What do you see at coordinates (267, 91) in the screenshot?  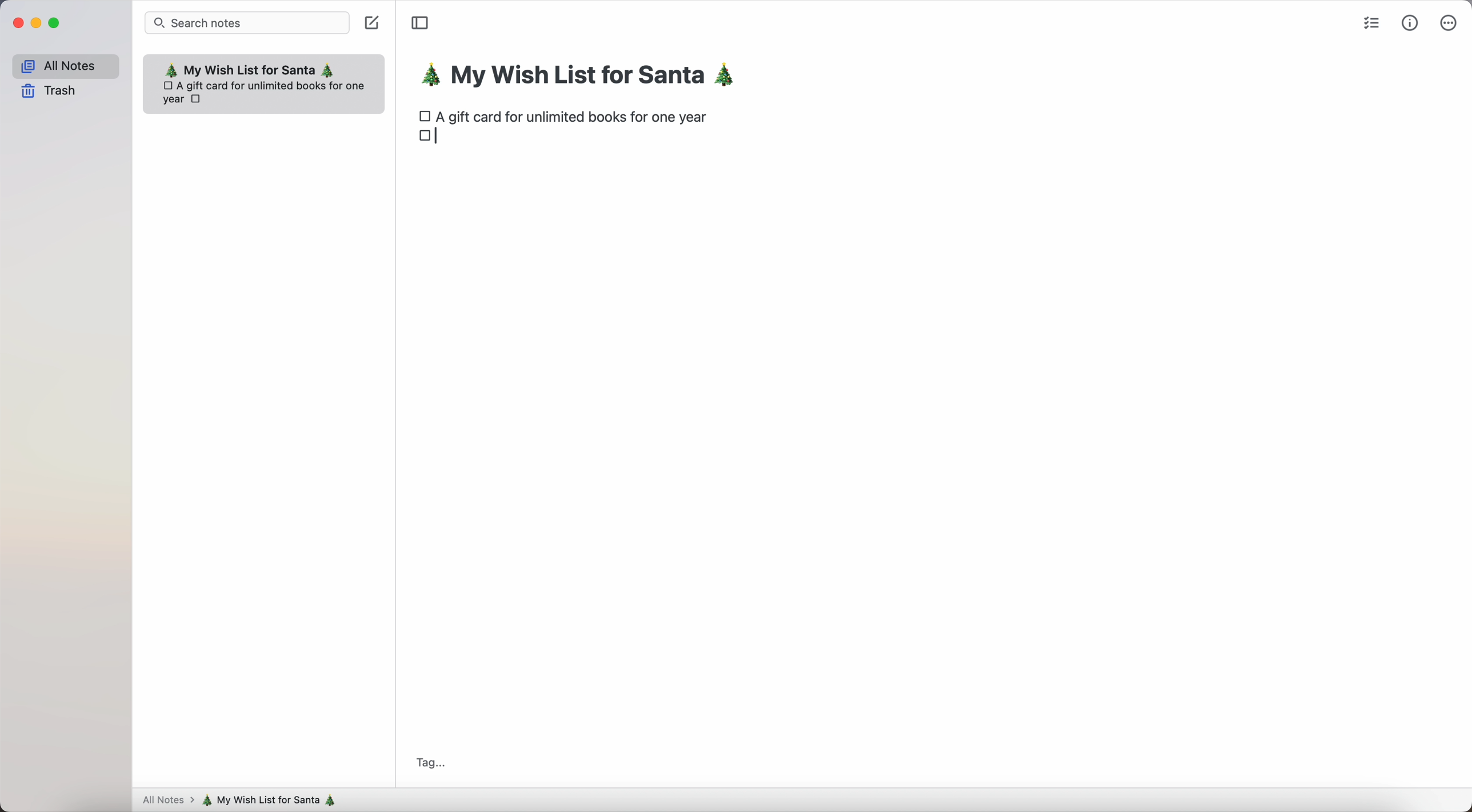 I see `A gift card for unlimited books for one year.` at bounding box center [267, 91].